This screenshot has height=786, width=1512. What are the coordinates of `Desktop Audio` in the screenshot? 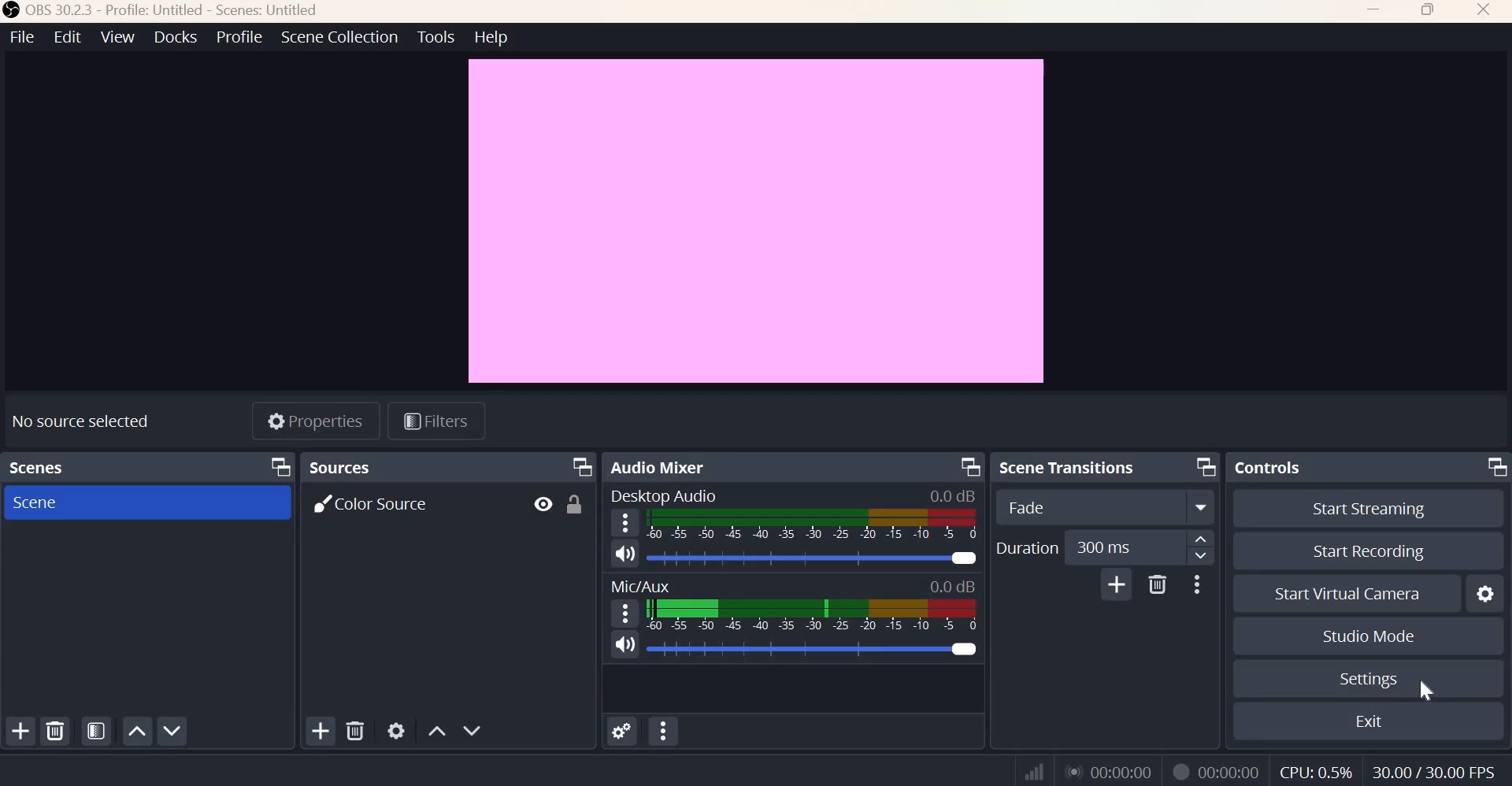 It's located at (668, 495).